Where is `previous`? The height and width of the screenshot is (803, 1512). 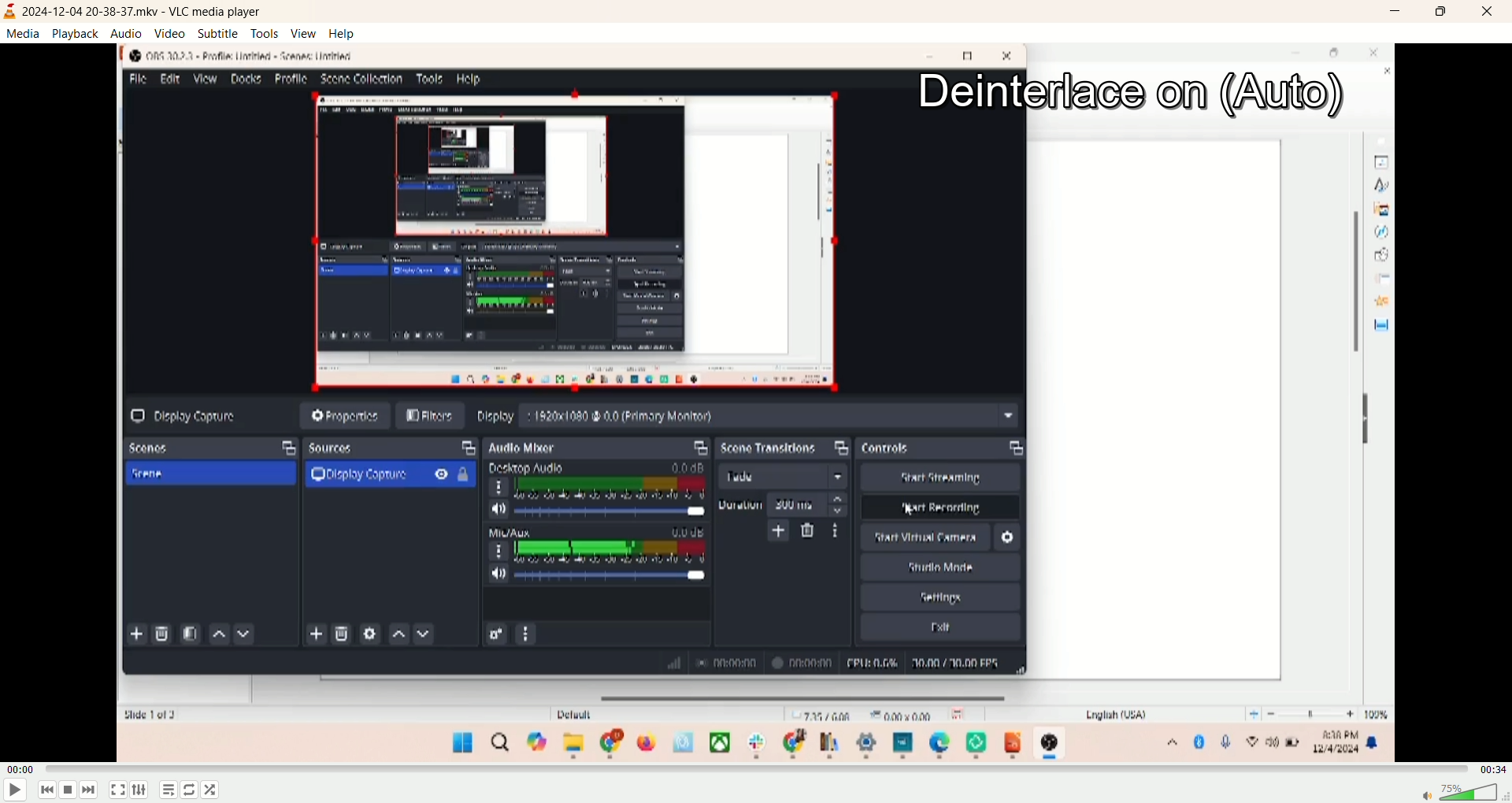
previous is located at coordinates (44, 790).